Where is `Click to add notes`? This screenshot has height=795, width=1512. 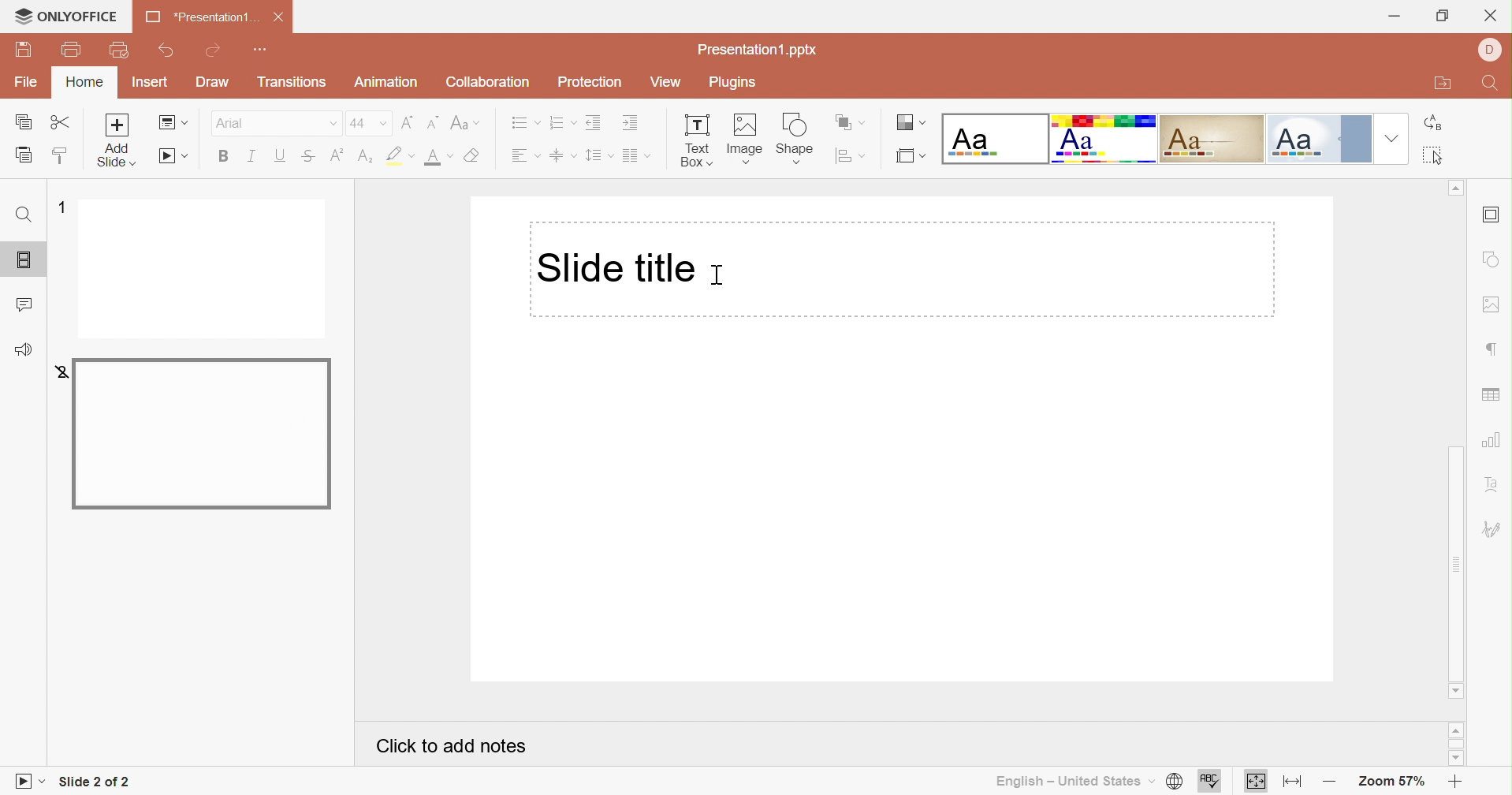 Click to add notes is located at coordinates (449, 745).